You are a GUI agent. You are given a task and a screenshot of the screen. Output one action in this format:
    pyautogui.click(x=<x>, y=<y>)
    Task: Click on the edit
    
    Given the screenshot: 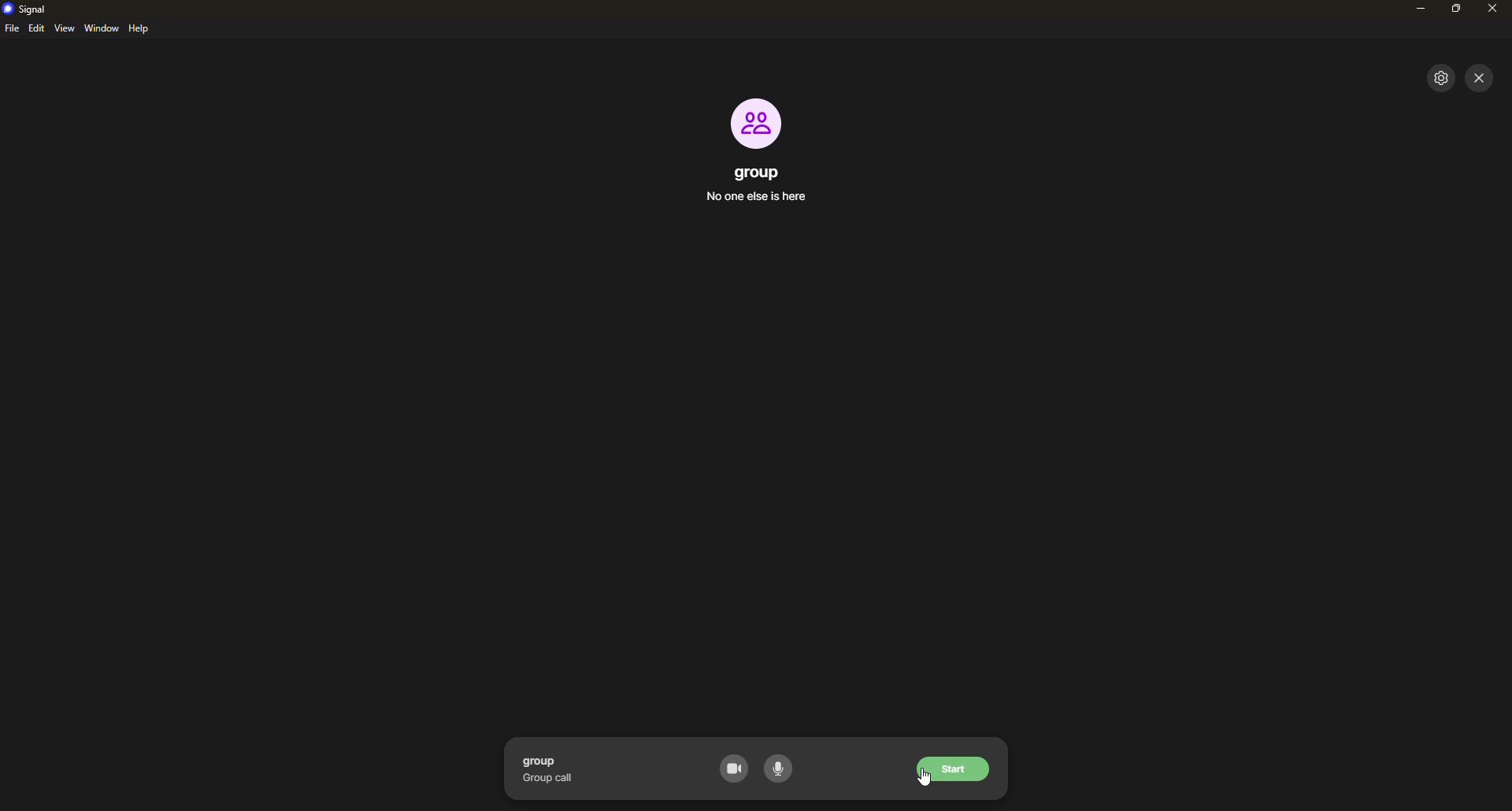 What is the action you would take?
    pyautogui.click(x=36, y=29)
    